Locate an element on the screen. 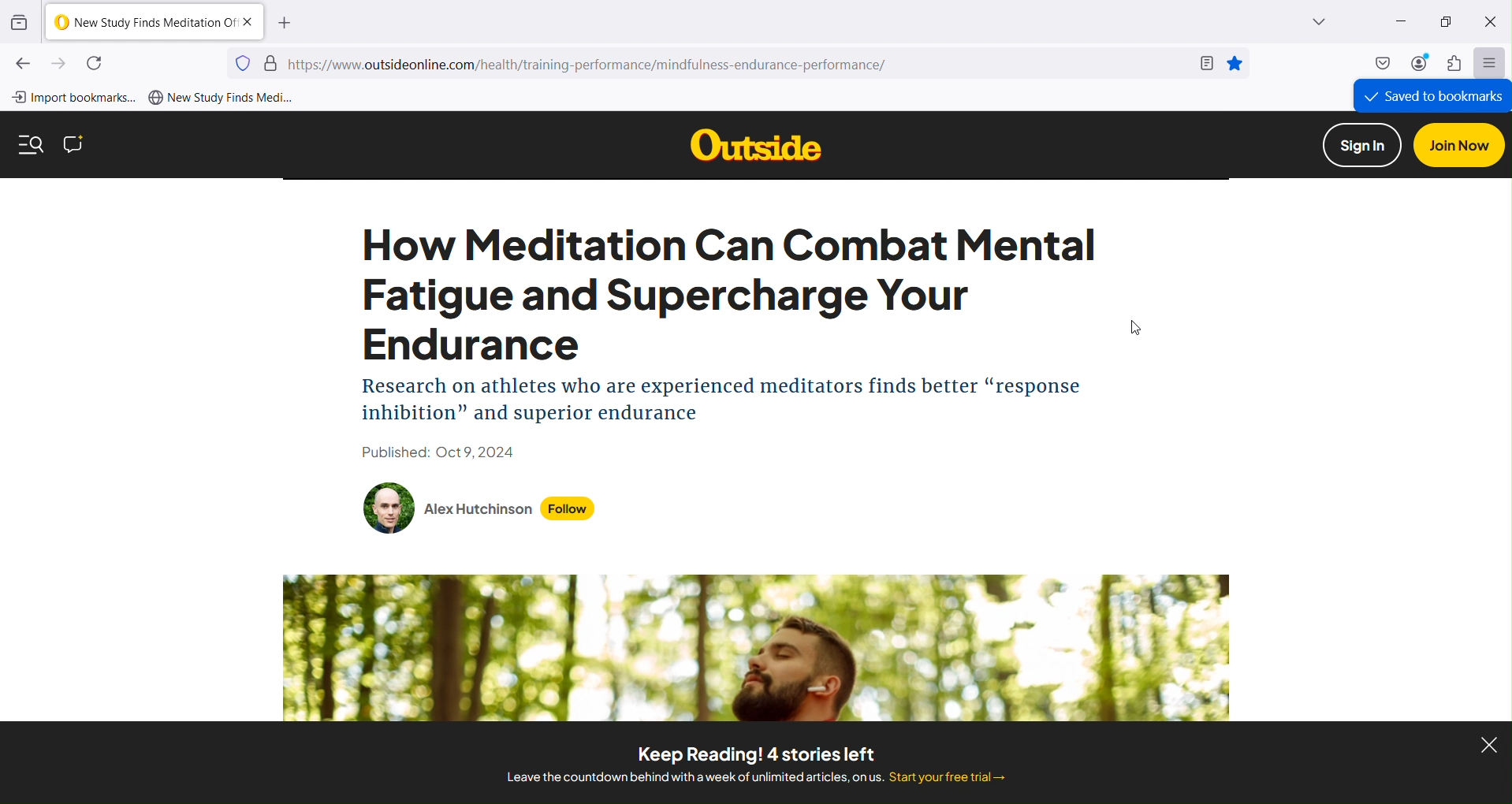 Image resolution: width=1512 pixels, height=804 pixels. Text is located at coordinates (754, 763).